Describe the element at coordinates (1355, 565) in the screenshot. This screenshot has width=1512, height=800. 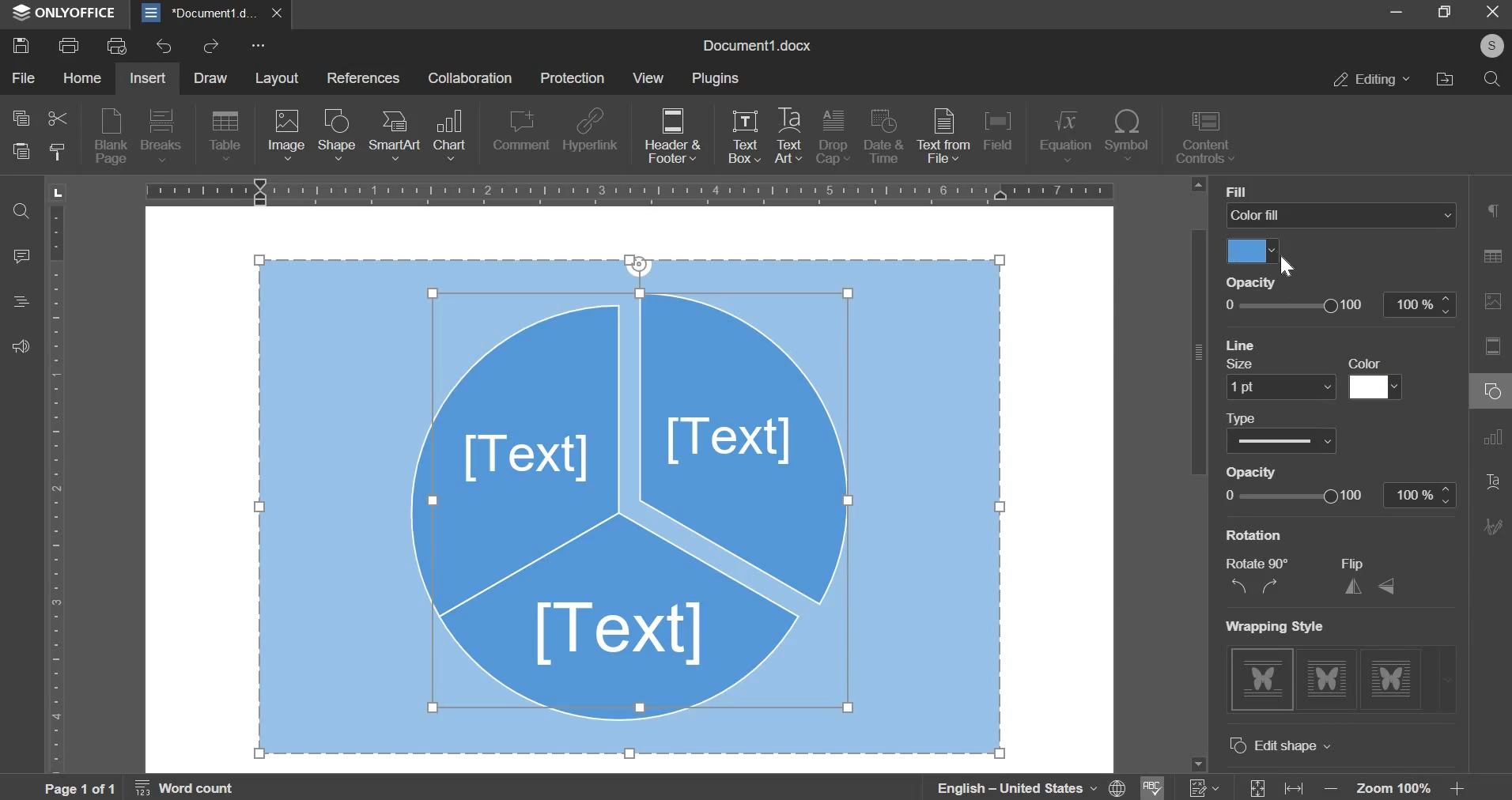
I see `` at that location.